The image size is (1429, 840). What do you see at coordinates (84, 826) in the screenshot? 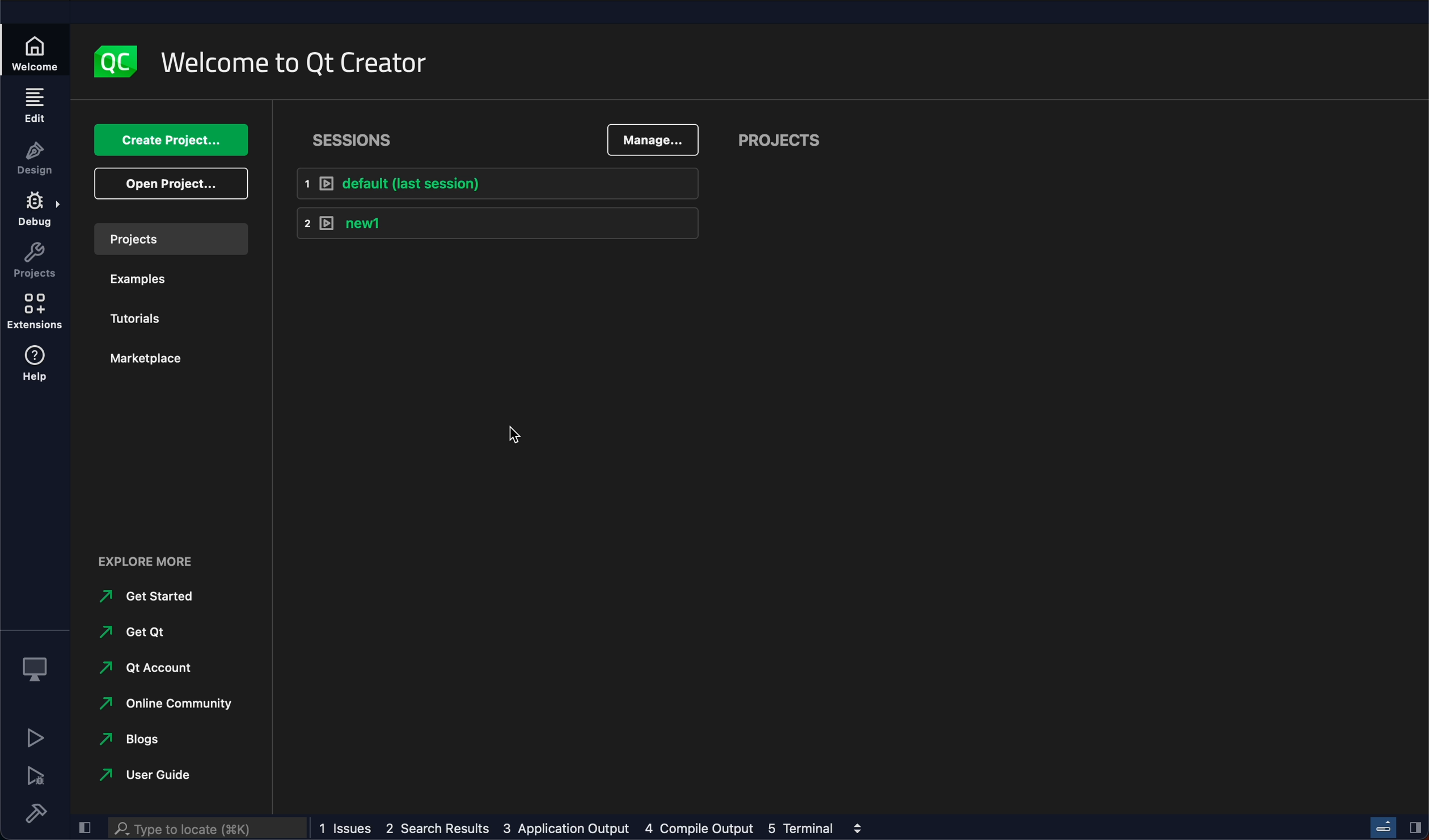
I see `close slidebar` at bounding box center [84, 826].